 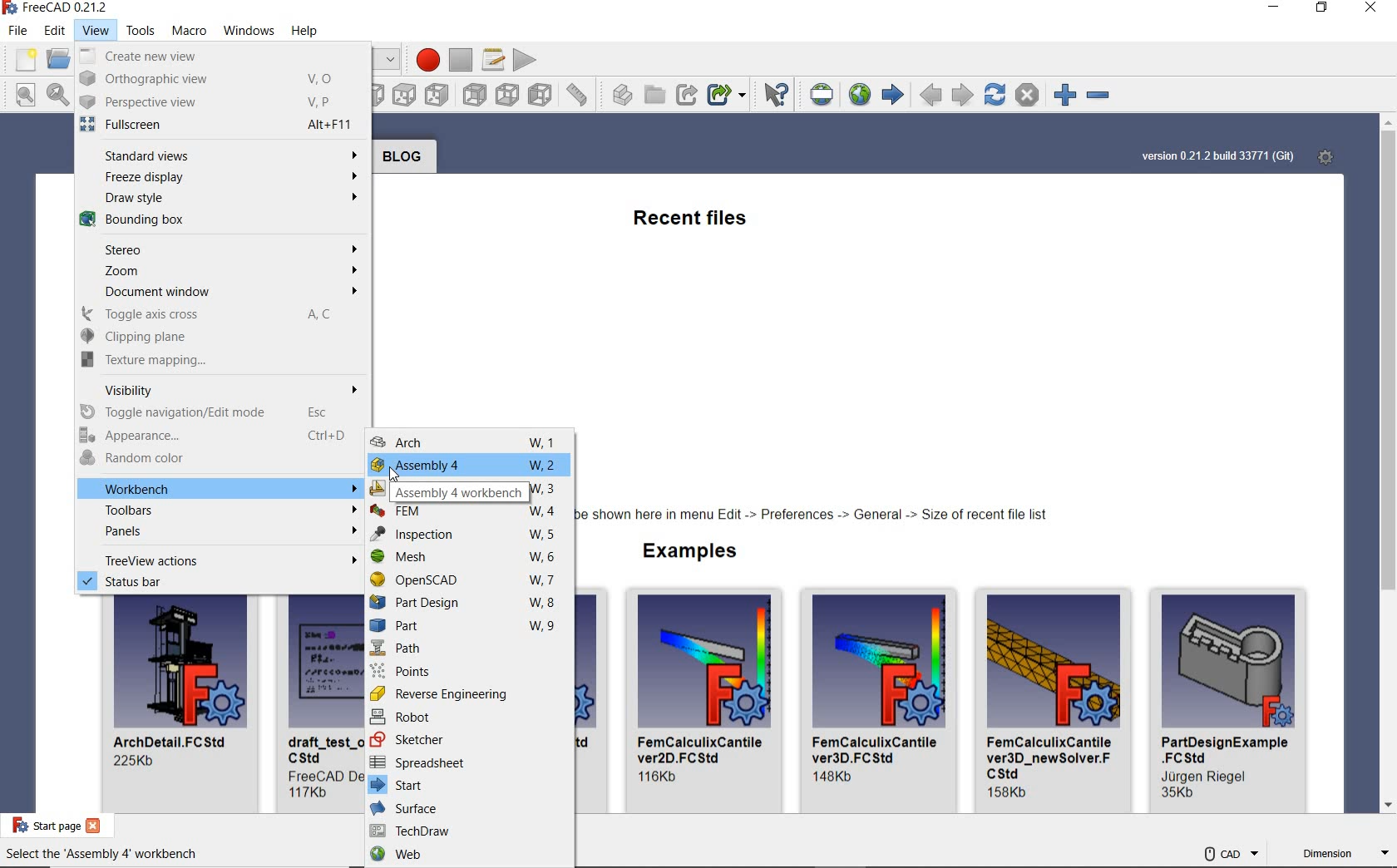 What do you see at coordinates (189, 31) in the screenshot?
I see `macro` at bounding box center [189, 31].